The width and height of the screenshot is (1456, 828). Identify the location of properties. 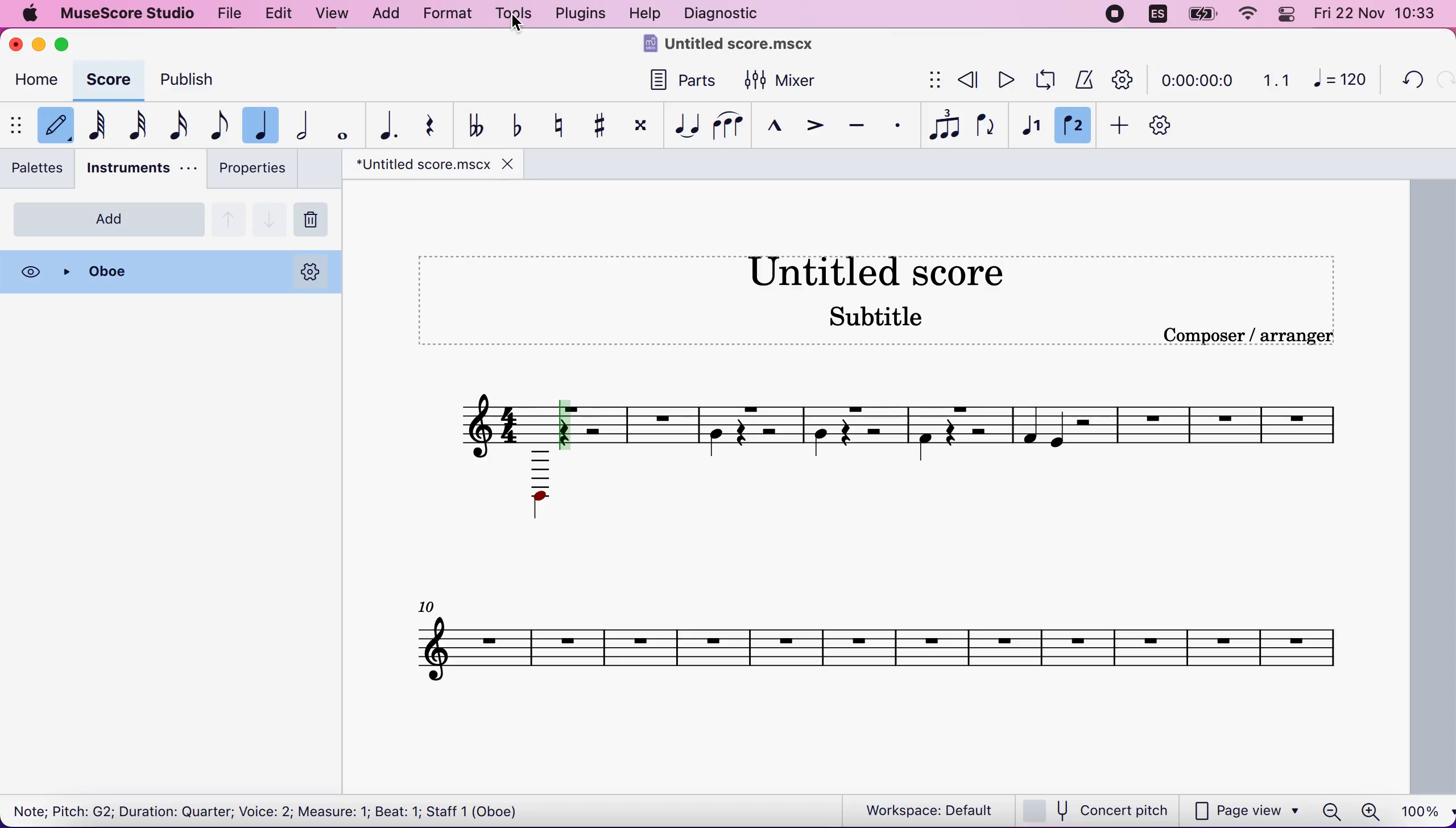
(256, 171).